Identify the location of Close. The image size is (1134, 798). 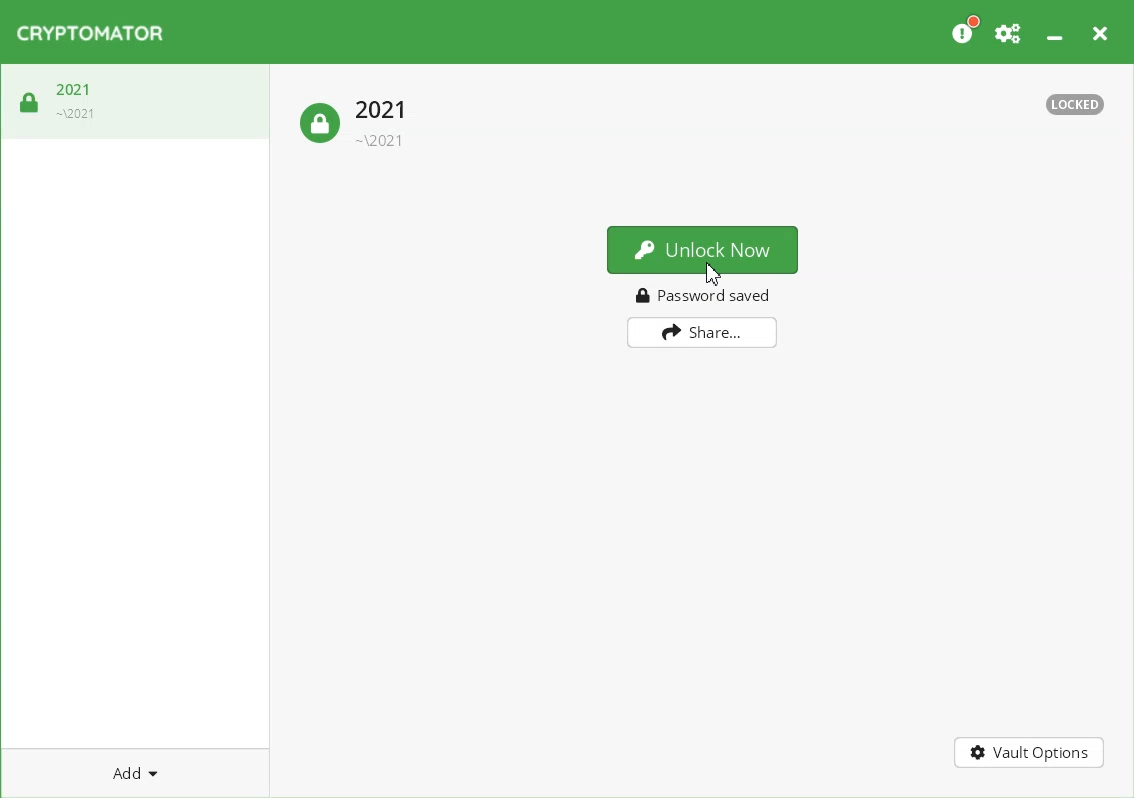
(1099, 32).